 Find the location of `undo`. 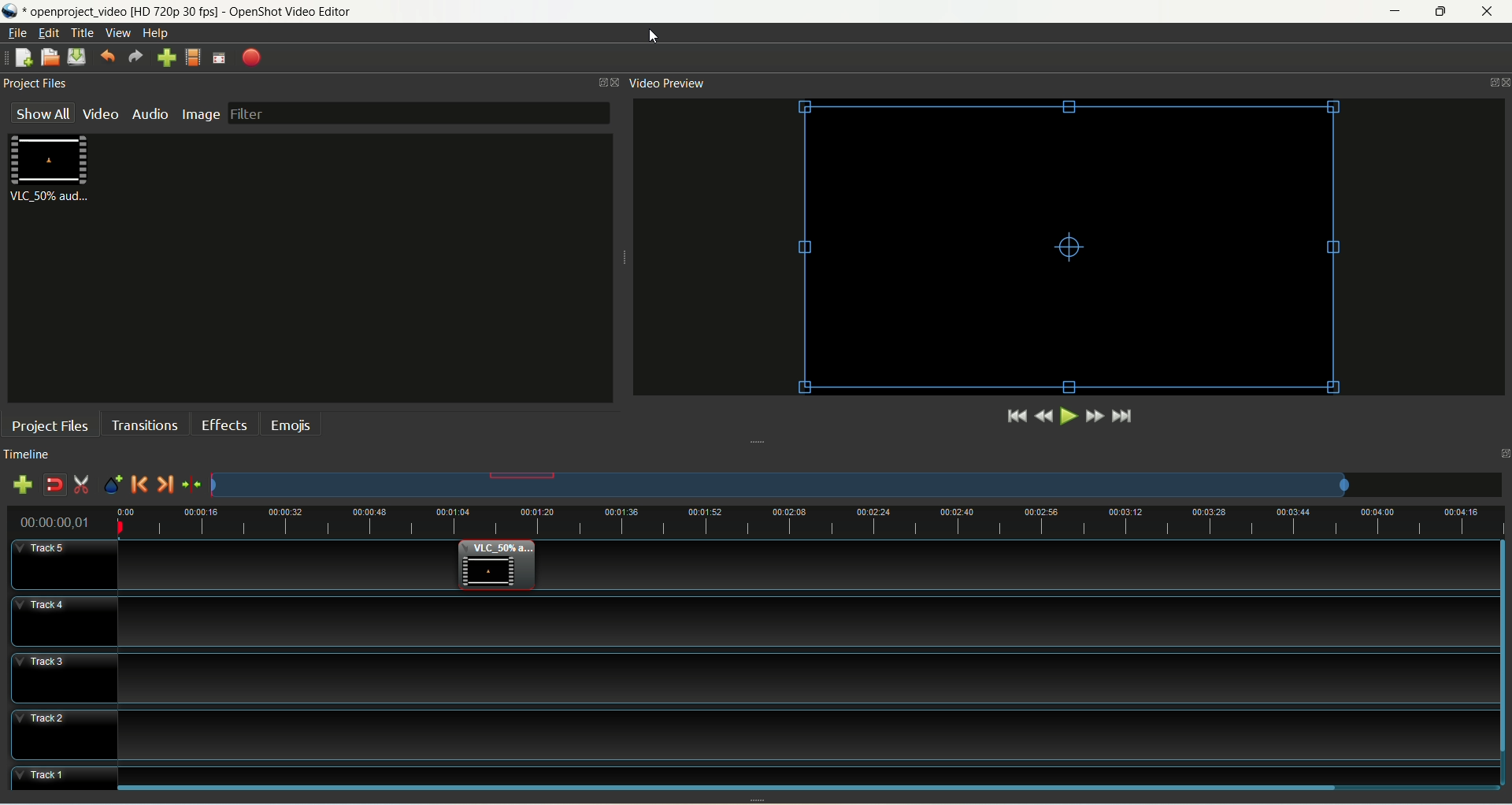

undo is located at coordinates (107, 58).